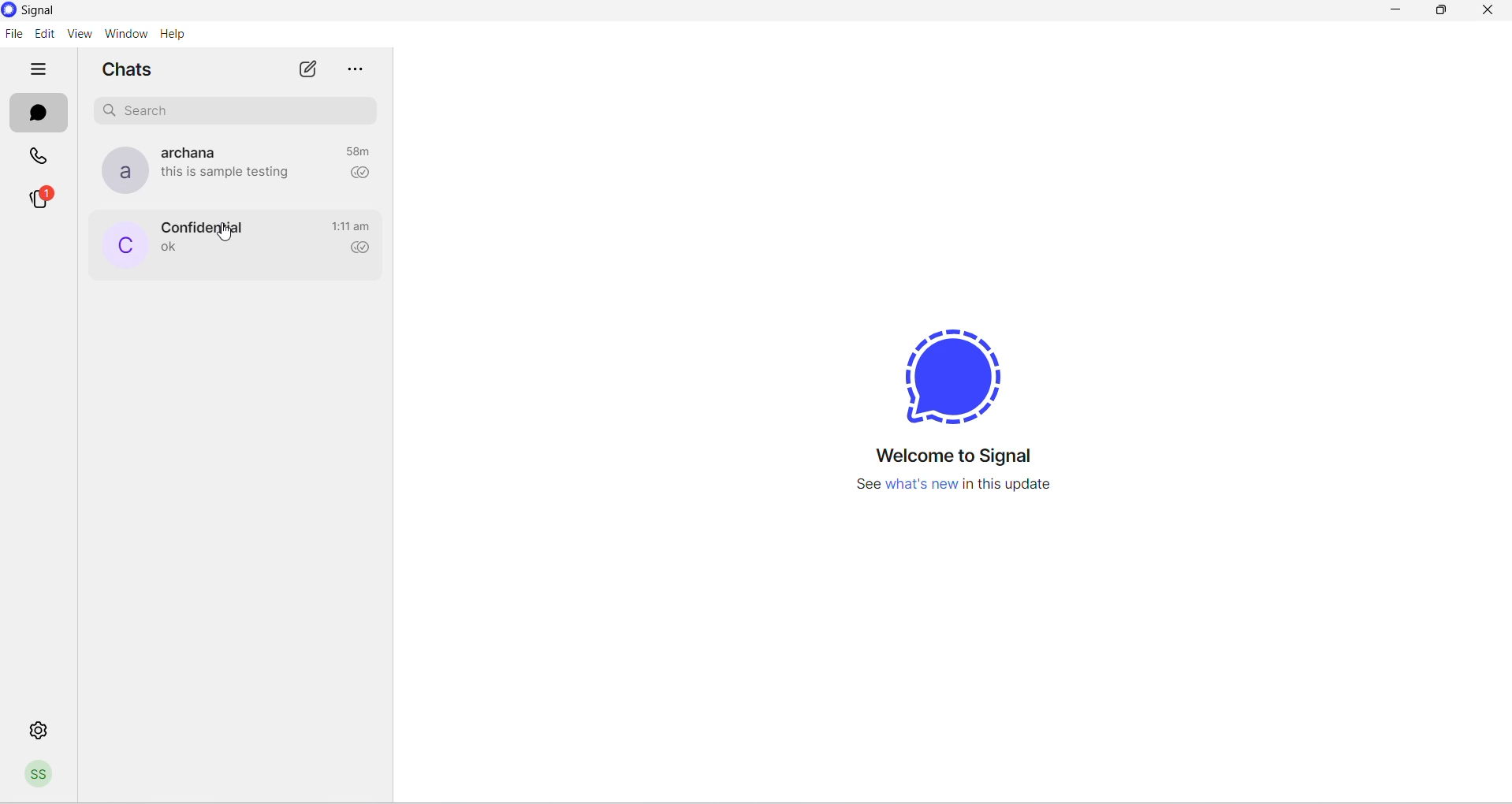 Image resolution: width=1512 pixels, height=804 pixels. Describe the element at coordinates (230, 173) in the screenshot. I see `last message` at that location.